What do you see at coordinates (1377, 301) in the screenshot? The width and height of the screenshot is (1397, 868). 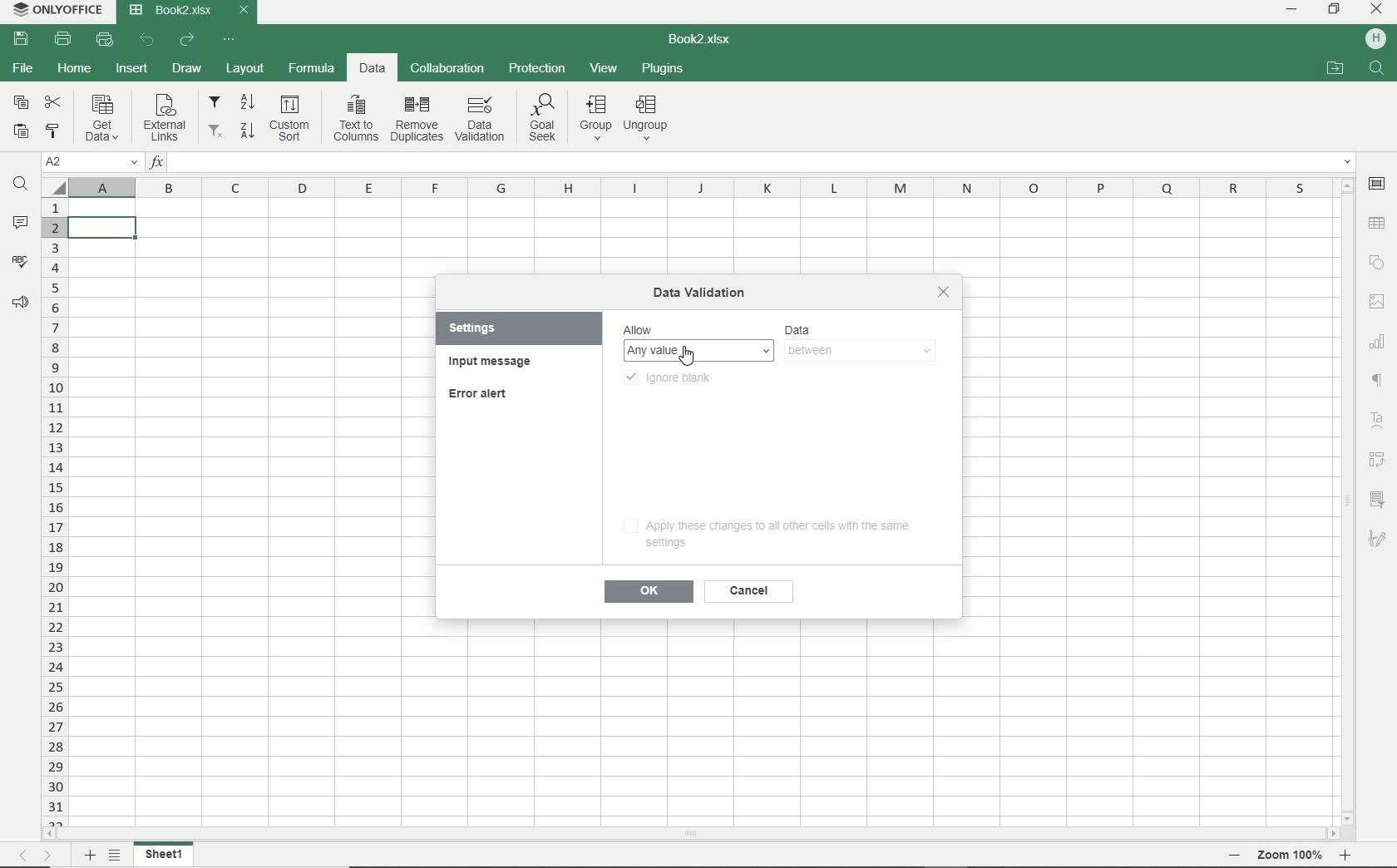 I see `IMAGE` at bounding box center [1377, 301].